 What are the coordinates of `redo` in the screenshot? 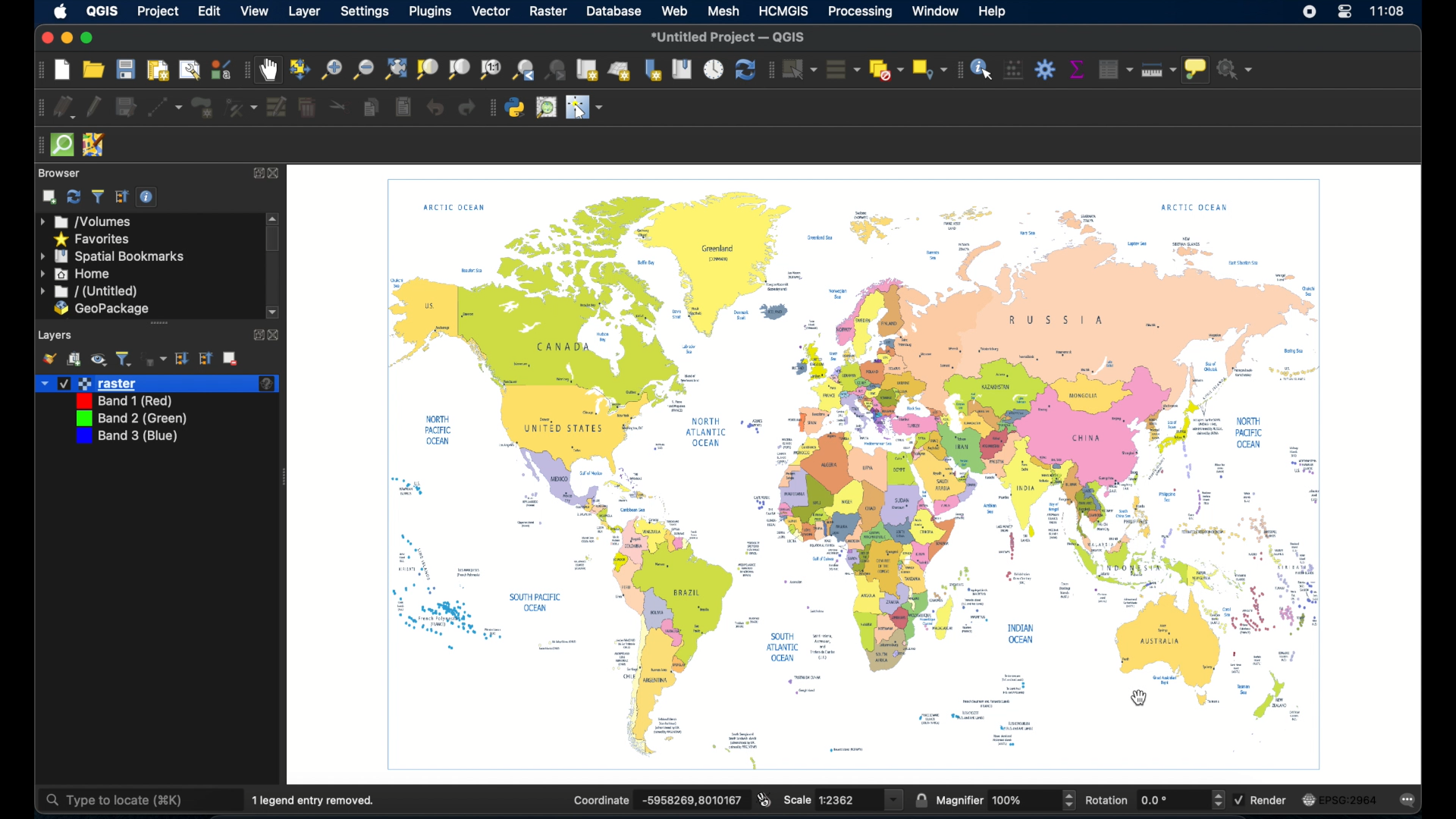 It's located at (466, 108).